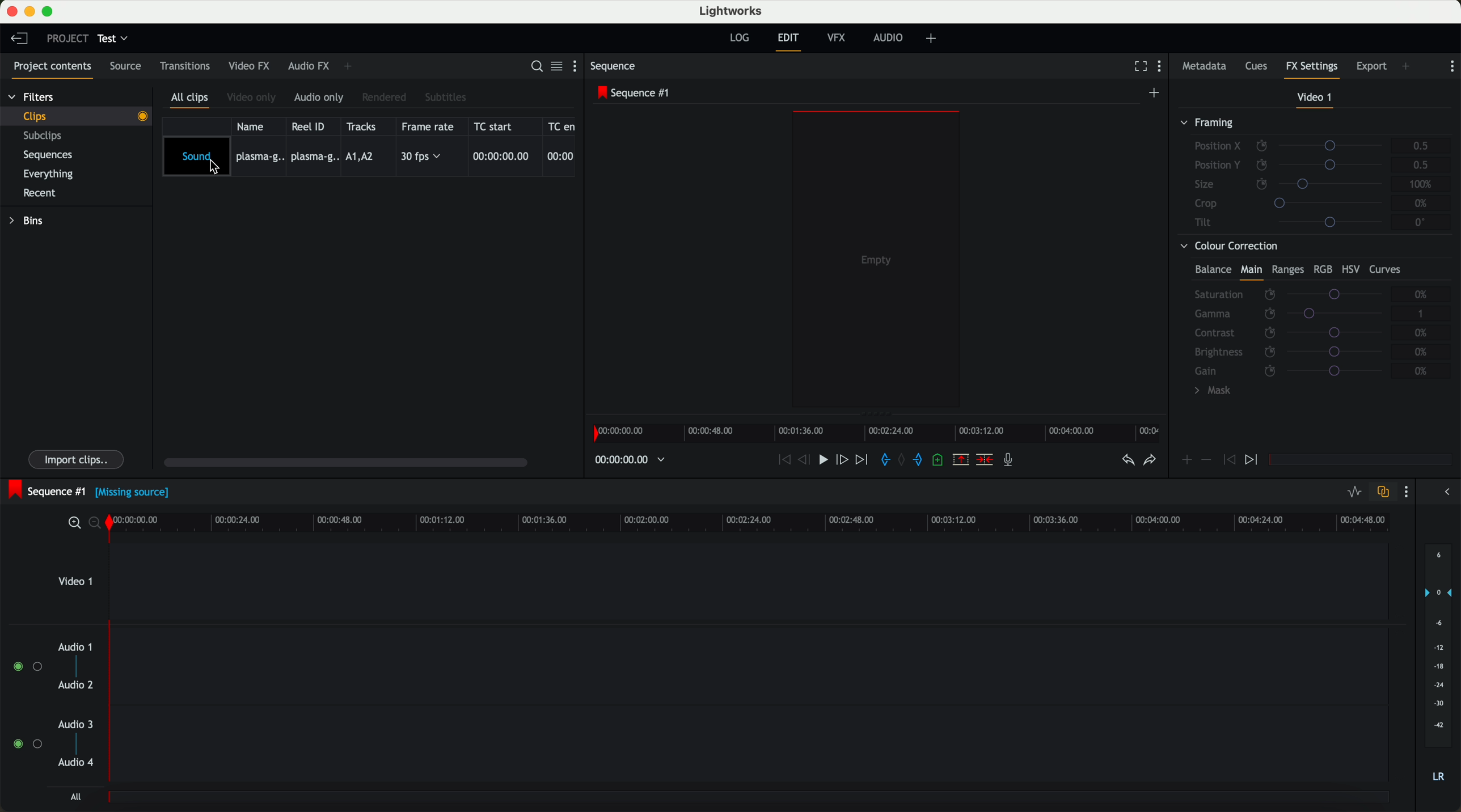  Describe the element at coordinates (535, 67) in the screenshot. I see `search` at that location.